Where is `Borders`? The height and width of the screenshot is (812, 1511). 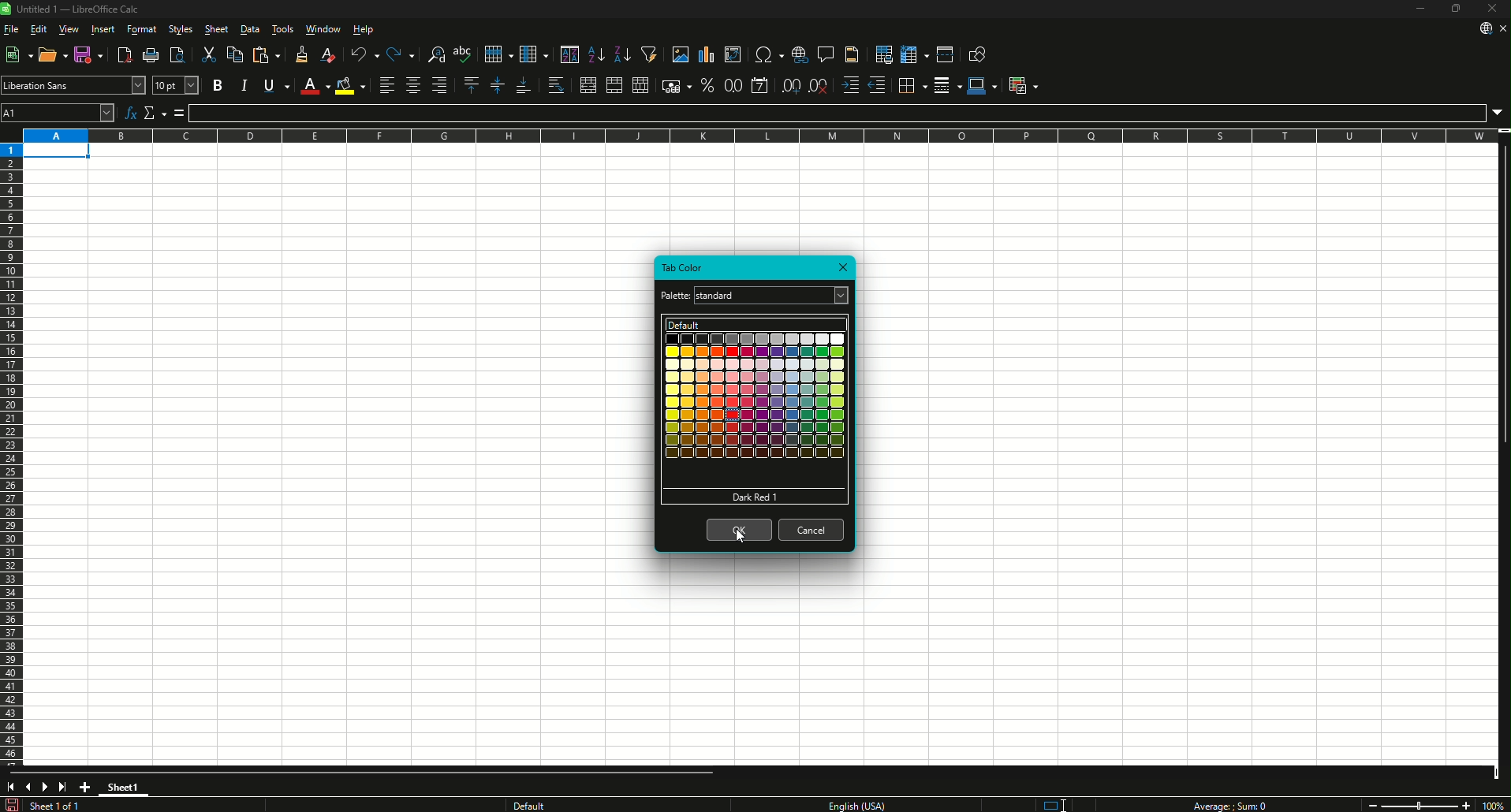
Borders is located at coordinates (912, 86).